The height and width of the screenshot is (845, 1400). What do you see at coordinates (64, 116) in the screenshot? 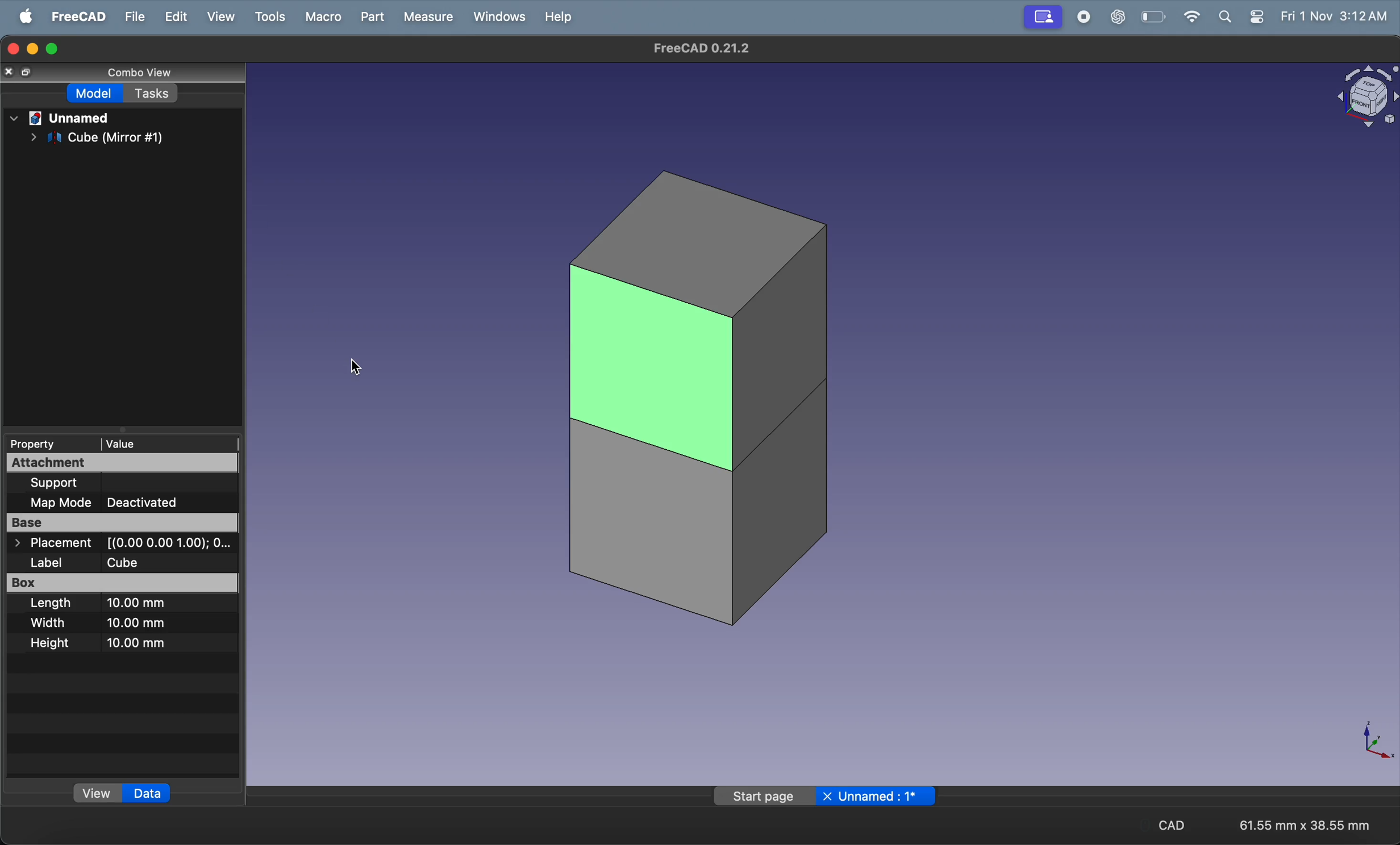
I see `unnamed` at bounding box center [64, 116].